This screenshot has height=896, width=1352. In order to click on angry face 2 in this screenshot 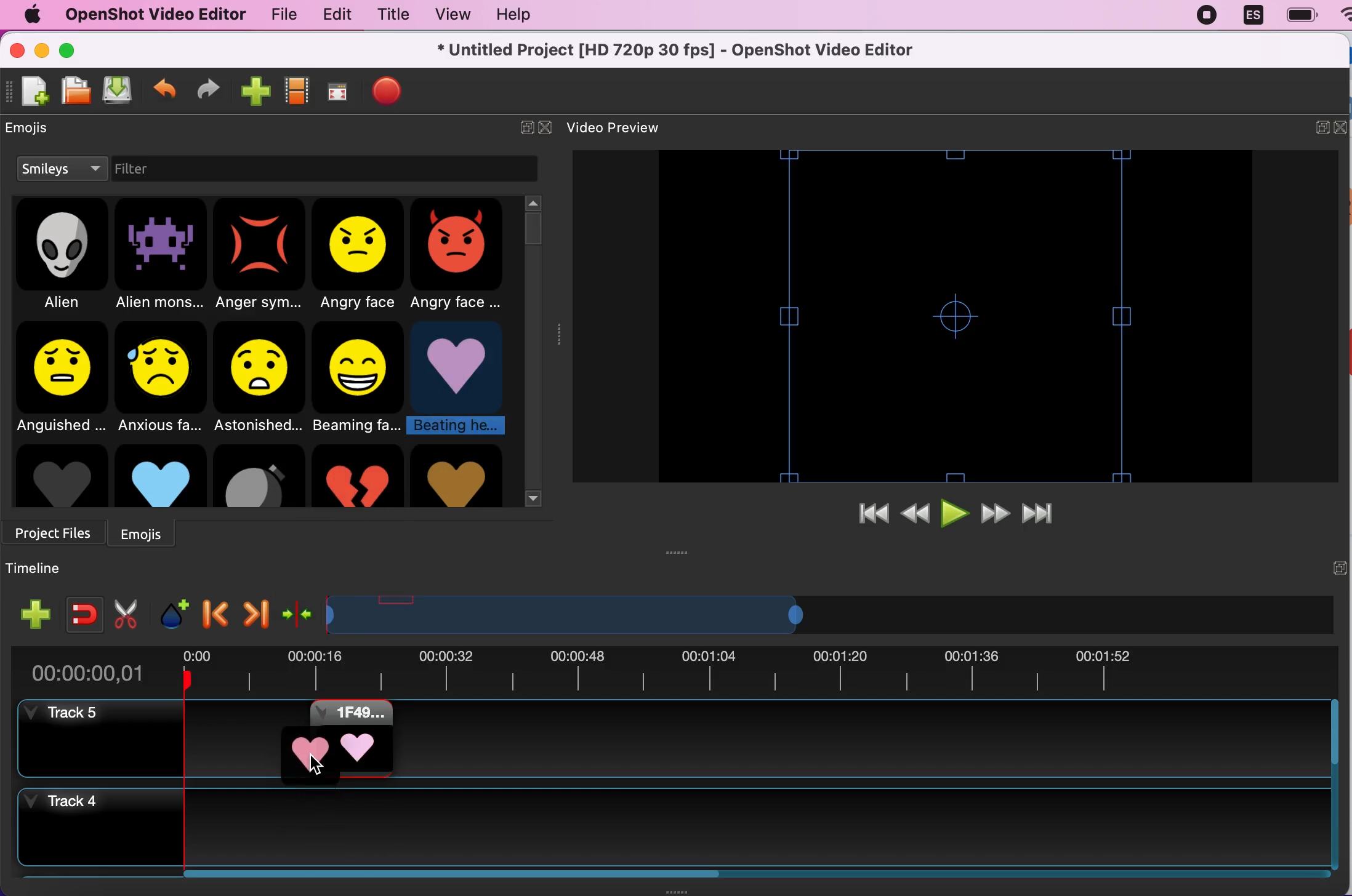, I will do `click(461, 257)`.